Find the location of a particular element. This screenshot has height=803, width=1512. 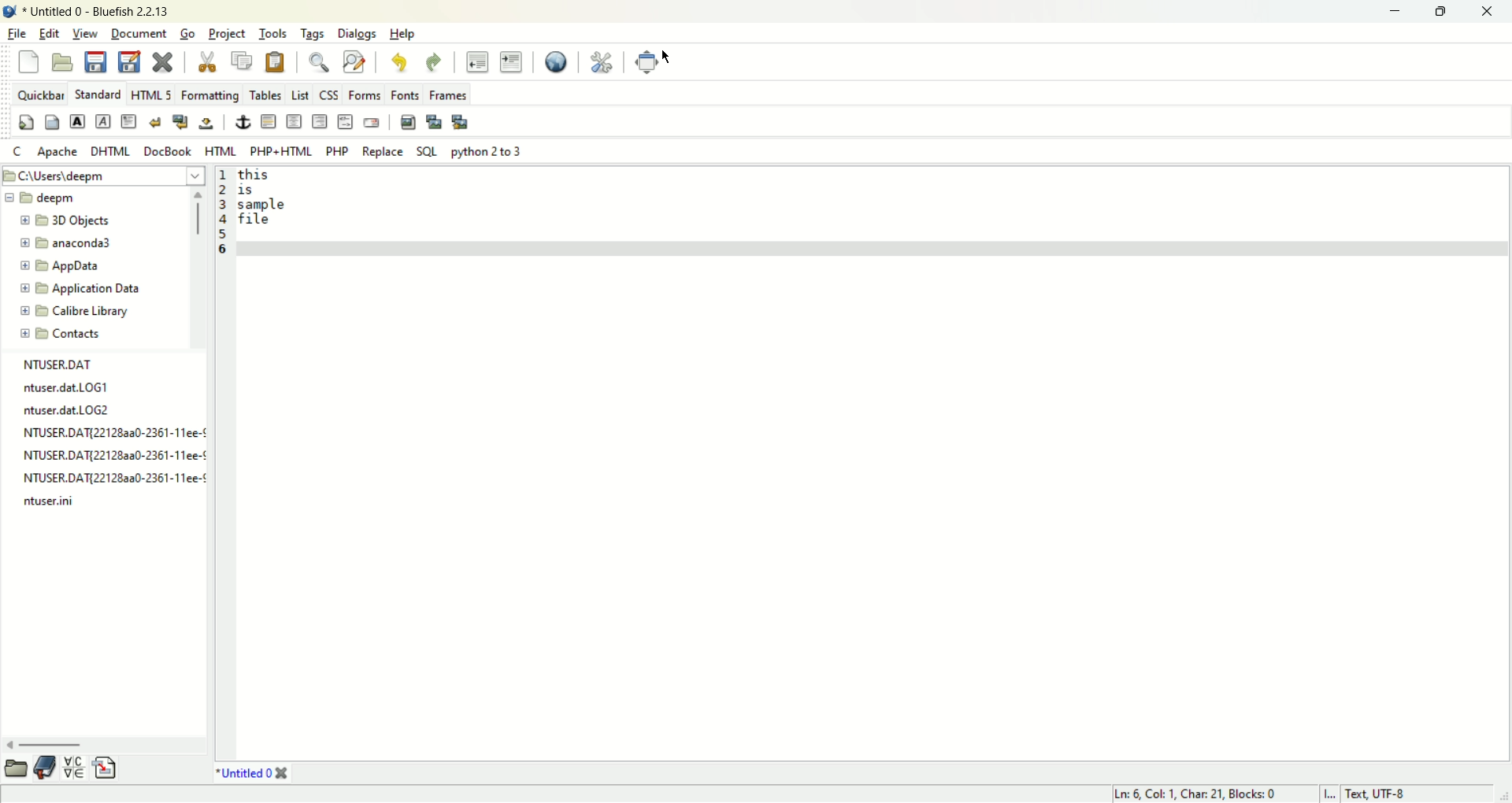

text, UTF-8 is located at coordinates (1385, 793).